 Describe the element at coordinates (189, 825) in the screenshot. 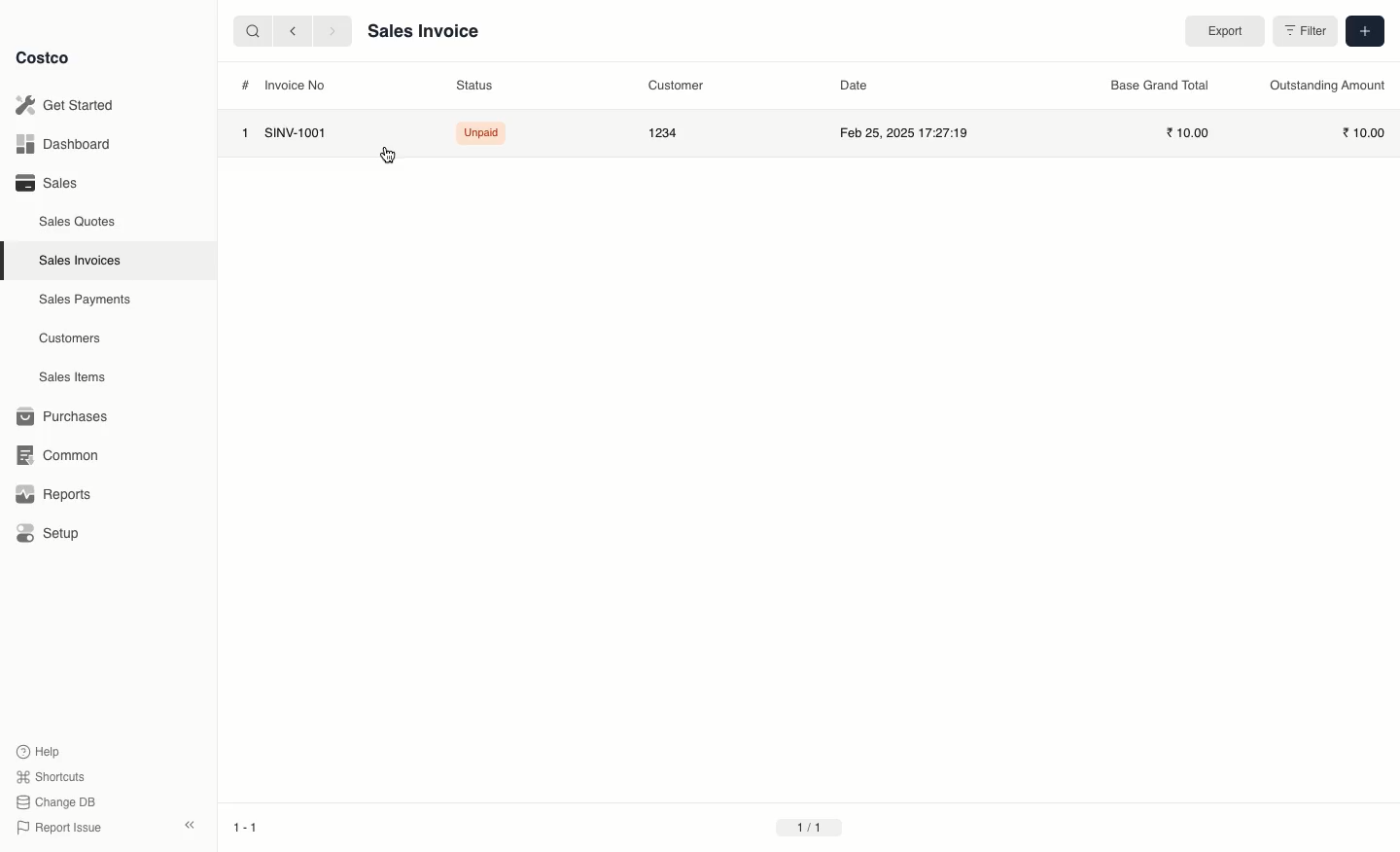

I see `Collapse` at that location.